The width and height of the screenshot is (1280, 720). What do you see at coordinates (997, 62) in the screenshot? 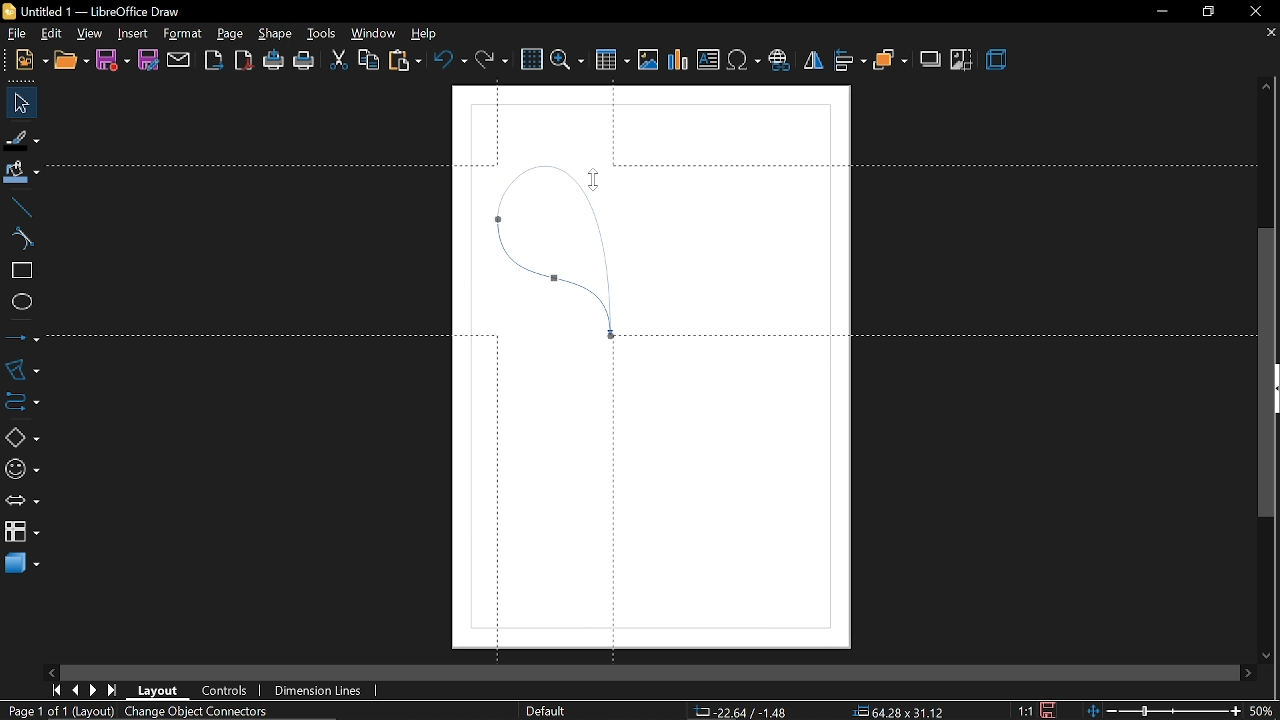
I see `3d effect` at bounding box center [997, 62].